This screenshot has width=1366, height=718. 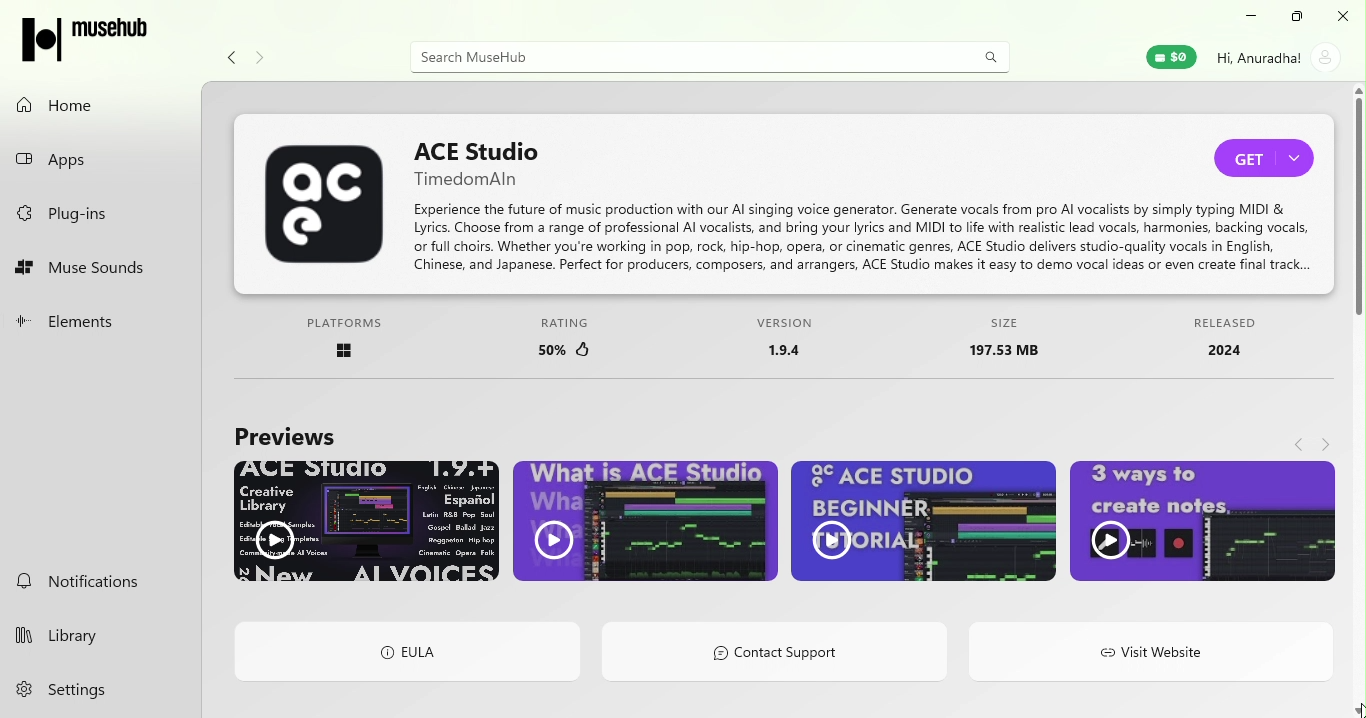 What do you see at coordinates (80, 636) in the screenshot?
I see `library` at bounding box center [80, 636].